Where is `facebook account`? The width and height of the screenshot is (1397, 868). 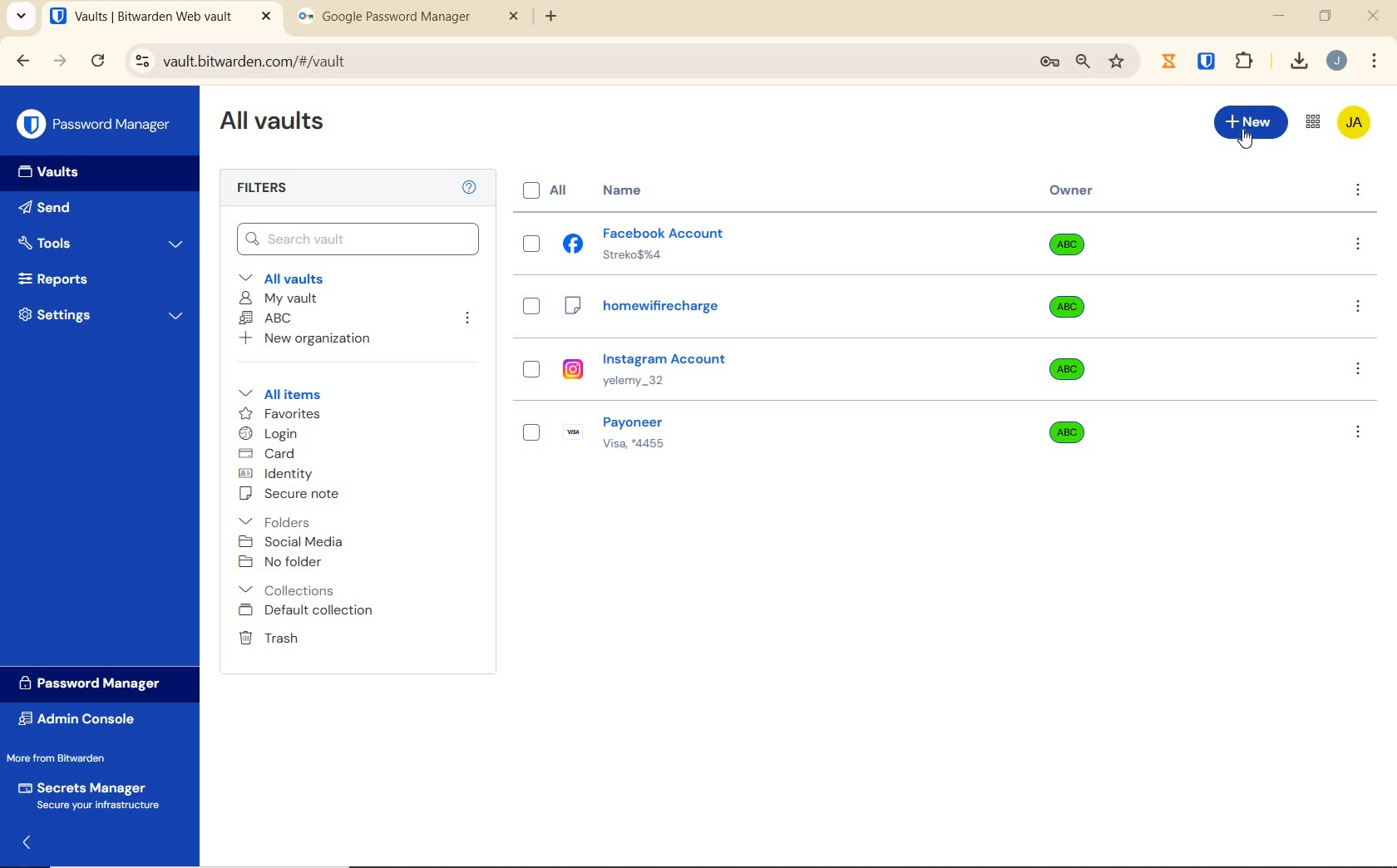
facebook account is located at coordinates (645, 248).